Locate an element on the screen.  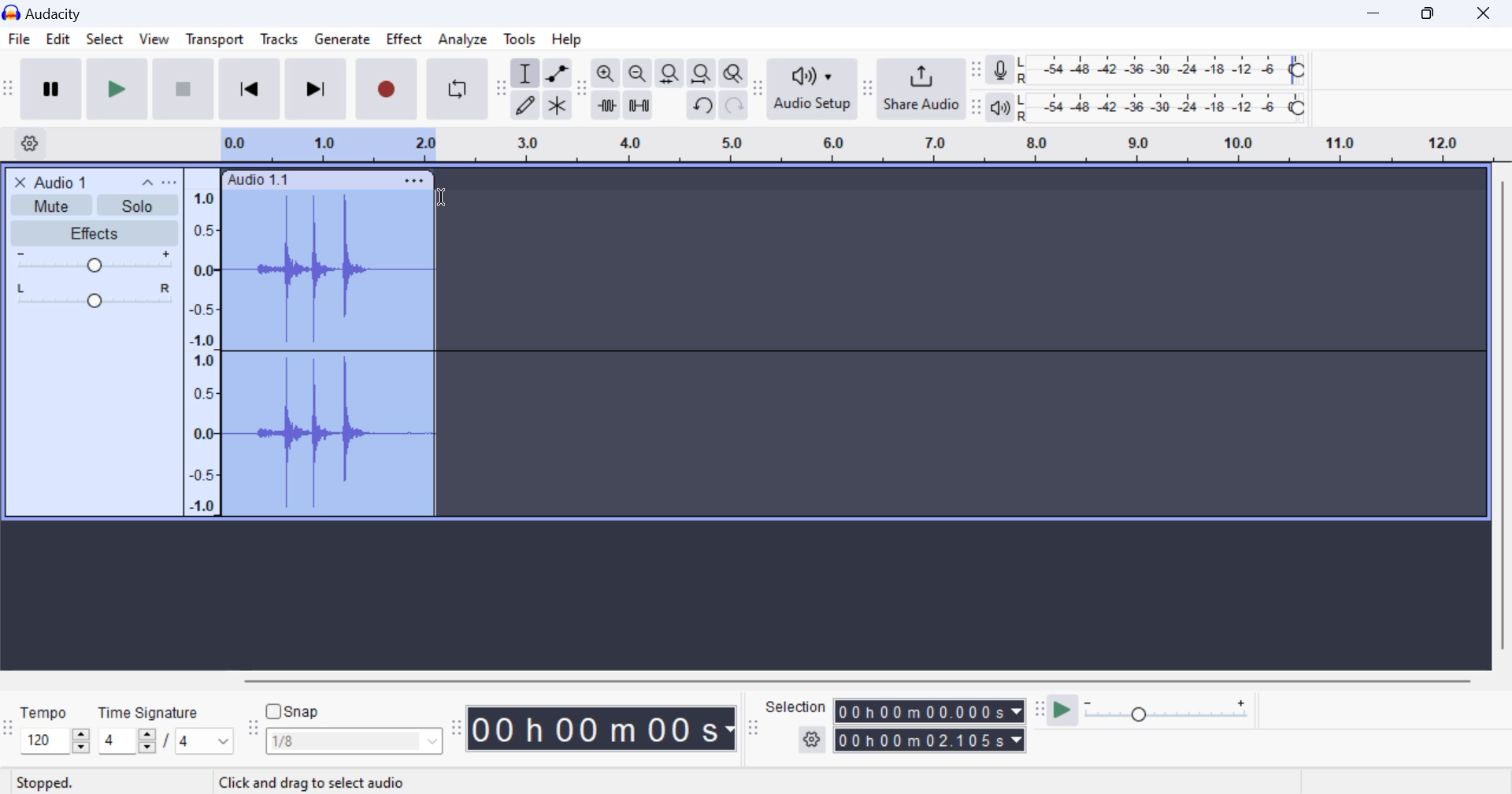
Max time signature options is located at coordinates (205, 742).